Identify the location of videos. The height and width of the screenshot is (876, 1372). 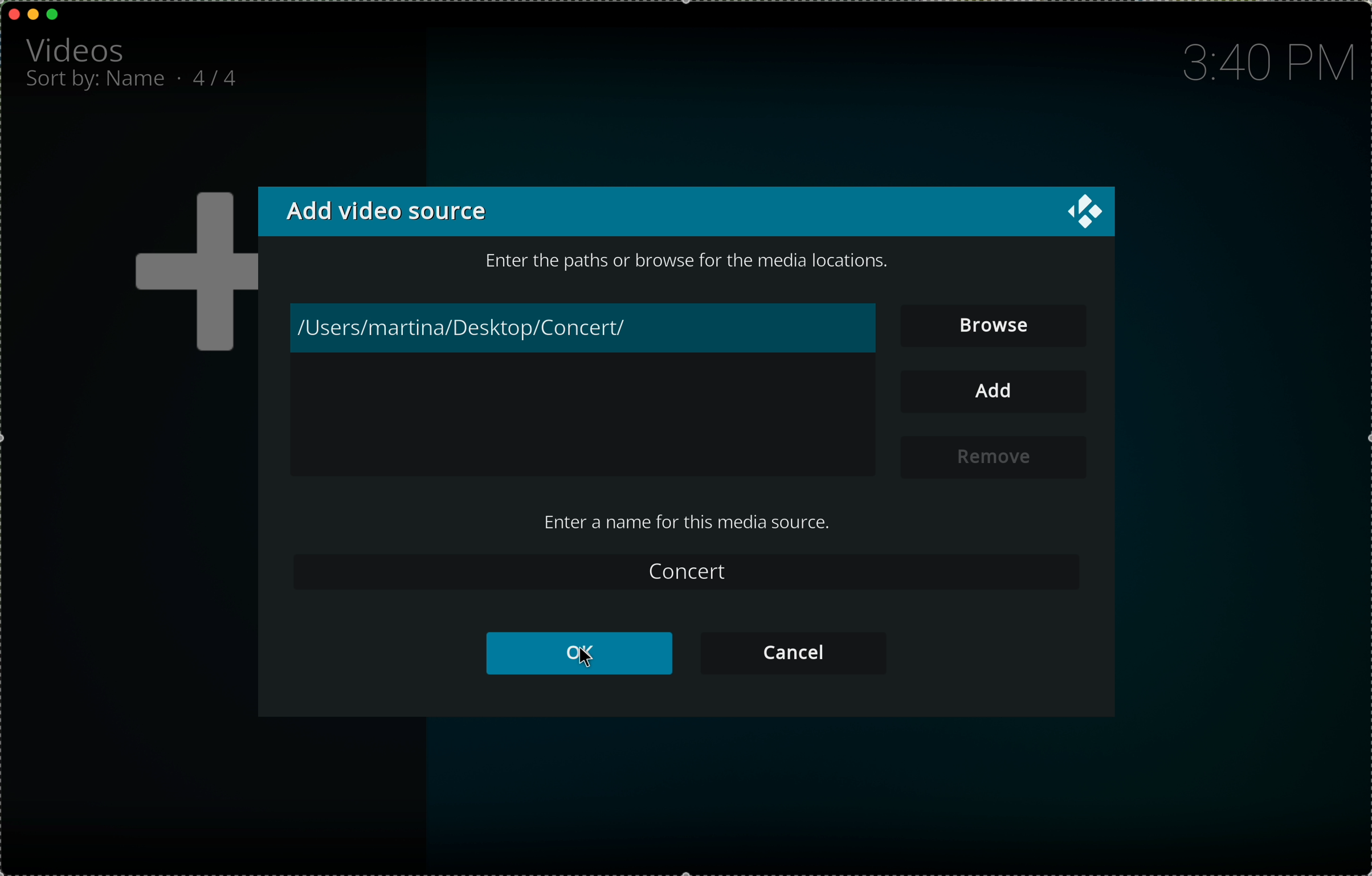
(78, 48).